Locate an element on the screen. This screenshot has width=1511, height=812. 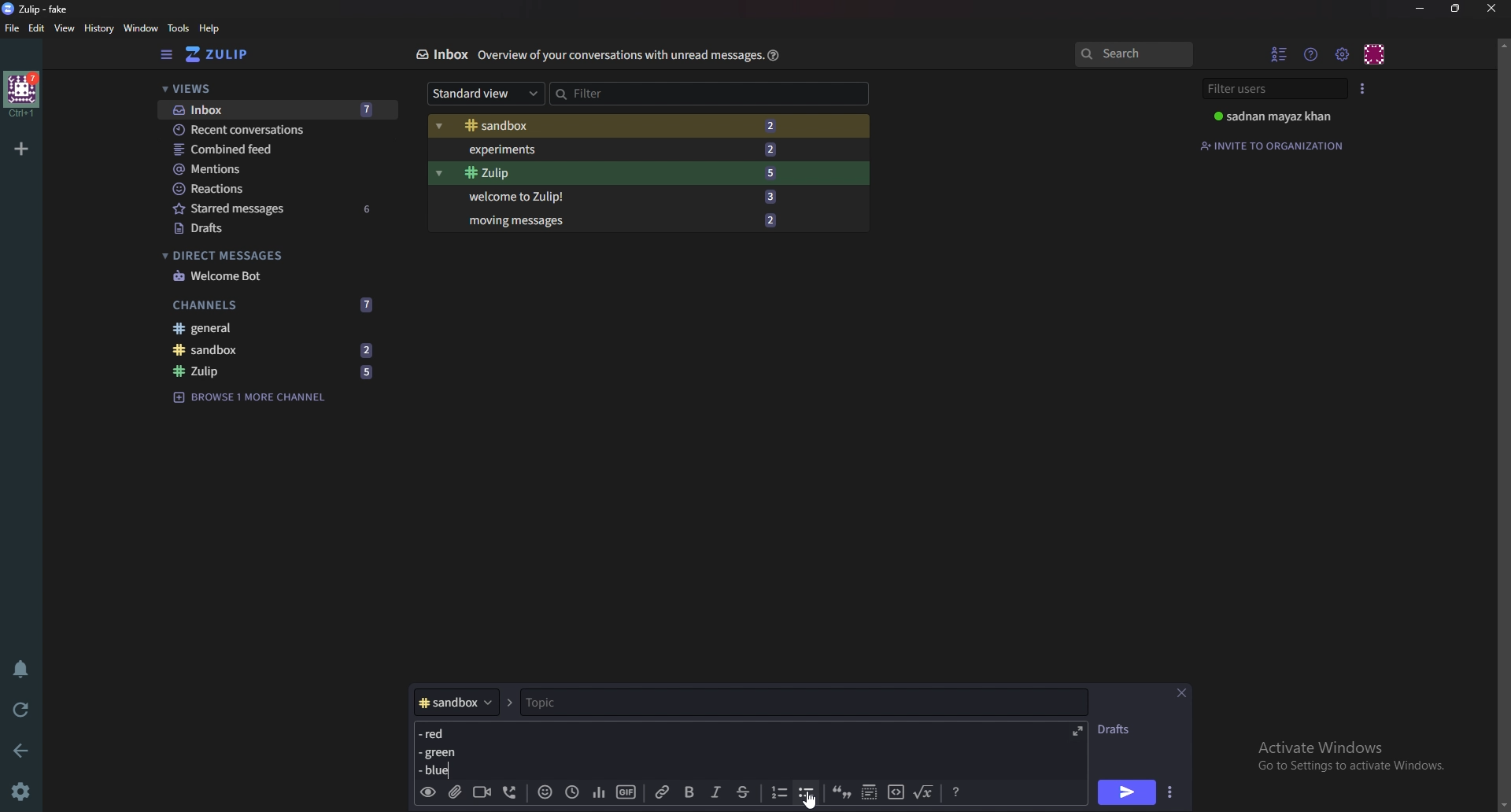
Spoiler is located at coordinates (870, 791).